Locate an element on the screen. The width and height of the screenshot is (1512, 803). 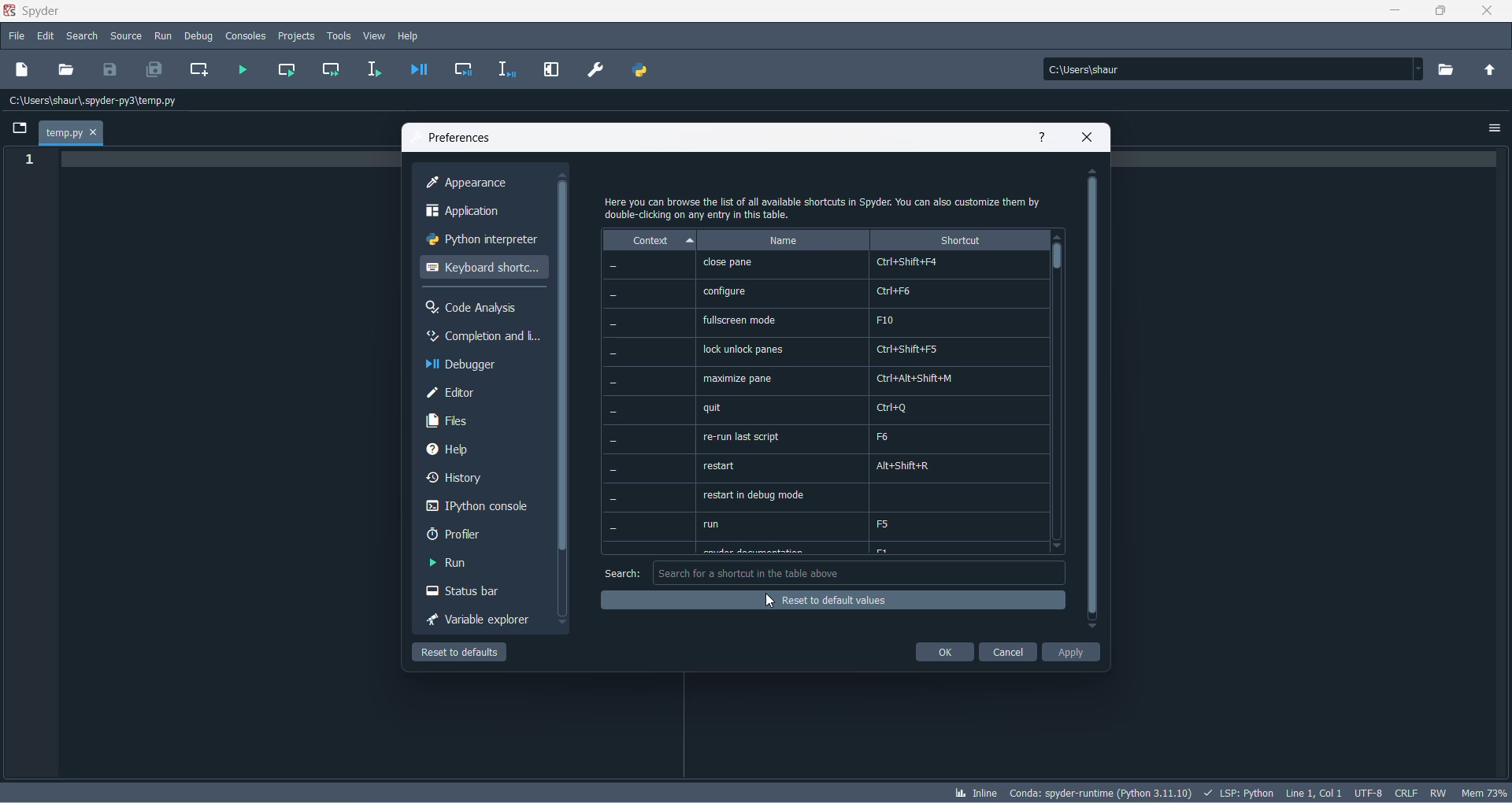
python interpreter is located at coordinates (484, 241).